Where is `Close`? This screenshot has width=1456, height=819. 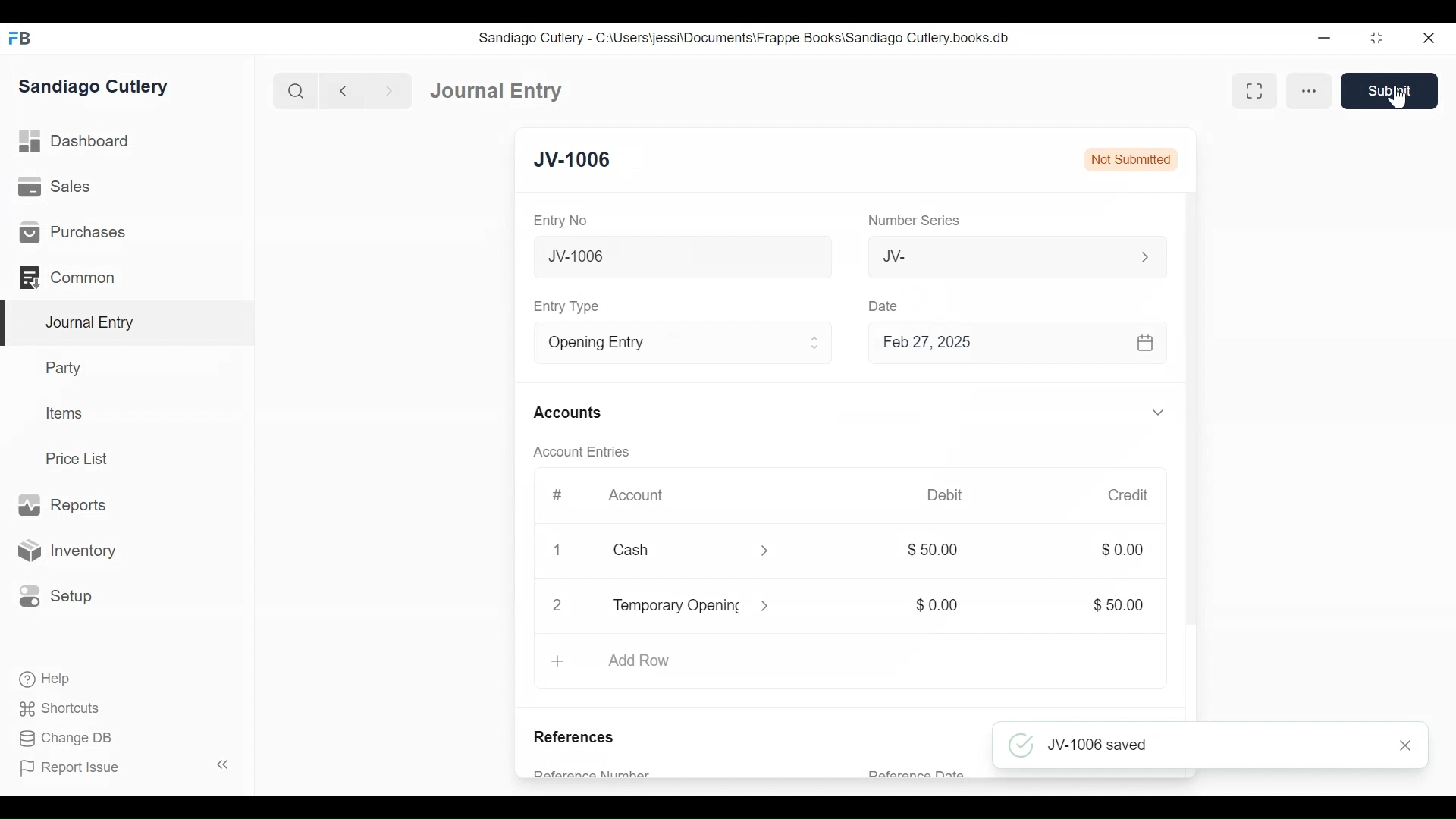
Close is located at coordinates (557, 606).